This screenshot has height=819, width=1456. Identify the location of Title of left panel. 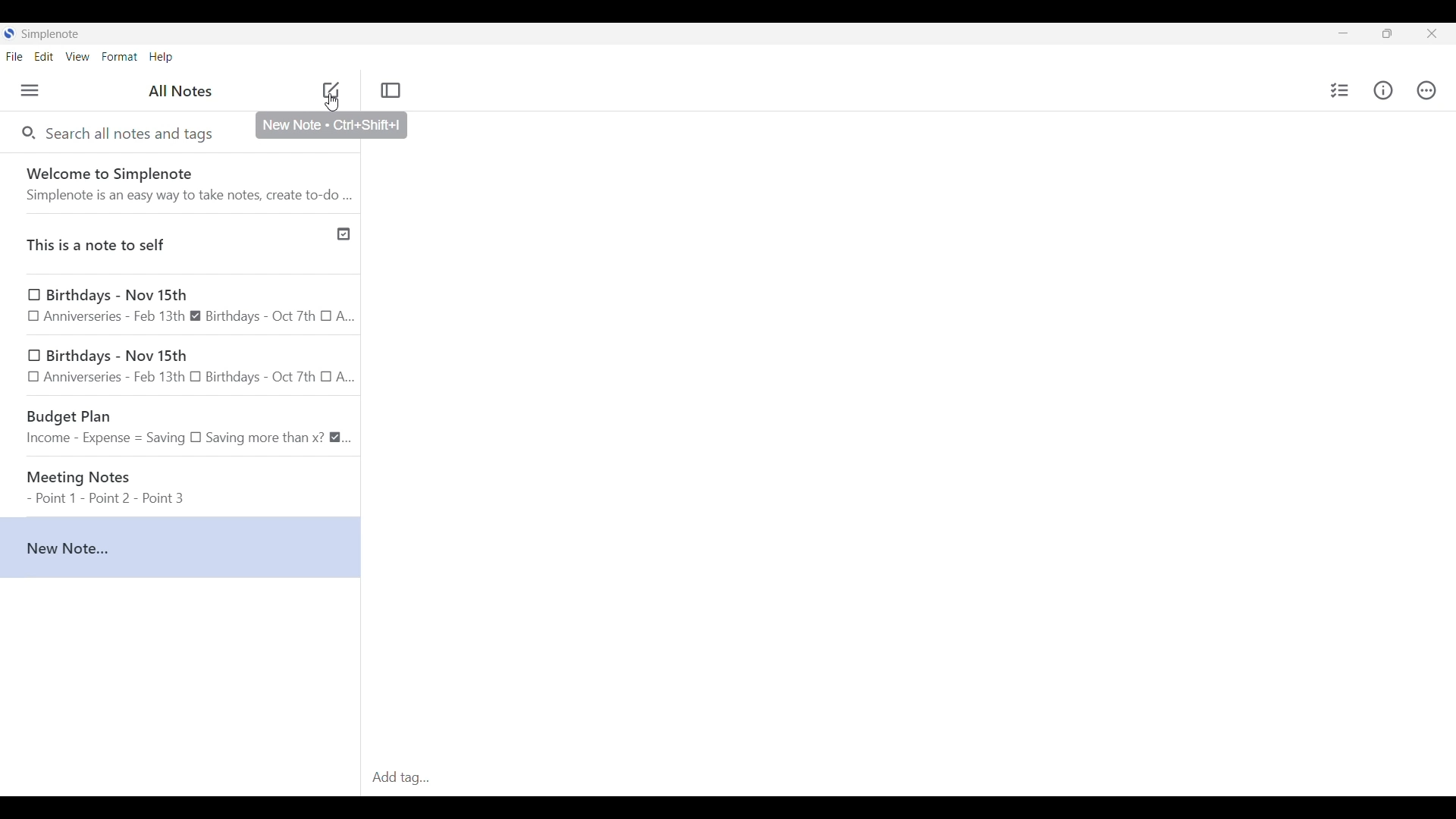
(180, 90).